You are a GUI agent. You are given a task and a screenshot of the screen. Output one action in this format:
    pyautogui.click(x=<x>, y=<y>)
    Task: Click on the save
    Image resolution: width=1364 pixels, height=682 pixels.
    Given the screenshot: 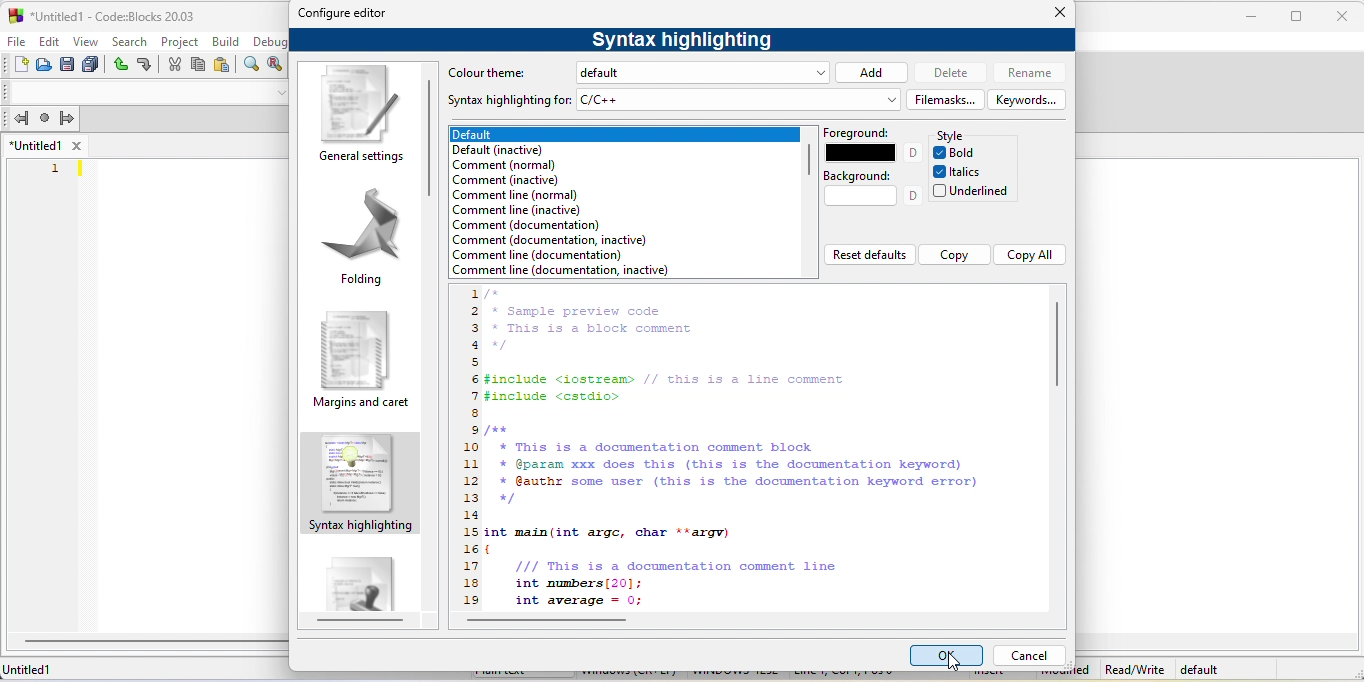 What is the action you would take?
    pyautogui.click(x=67, y=64)
    